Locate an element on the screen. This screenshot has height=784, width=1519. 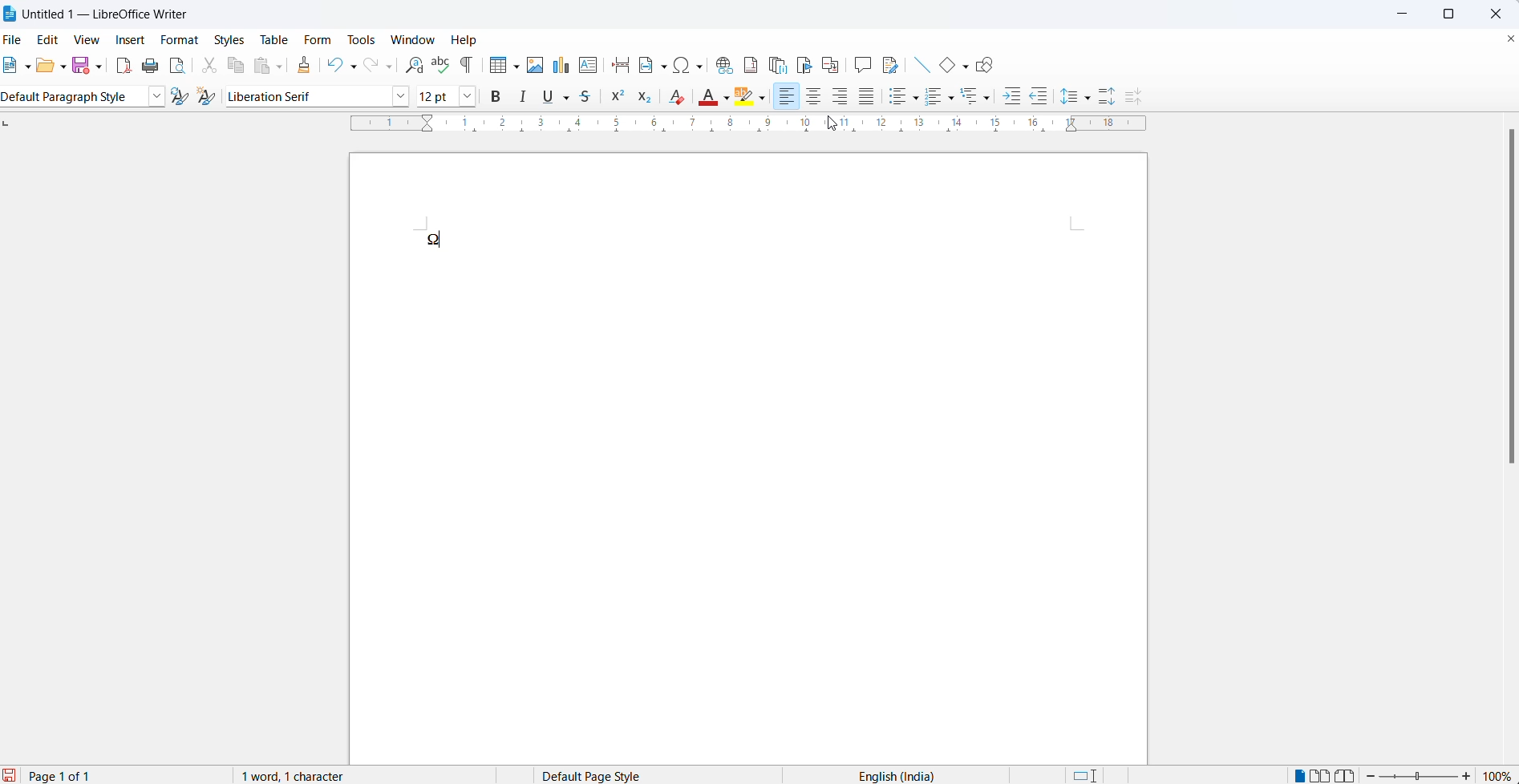
minimize is located at coordinates (1409, 14).